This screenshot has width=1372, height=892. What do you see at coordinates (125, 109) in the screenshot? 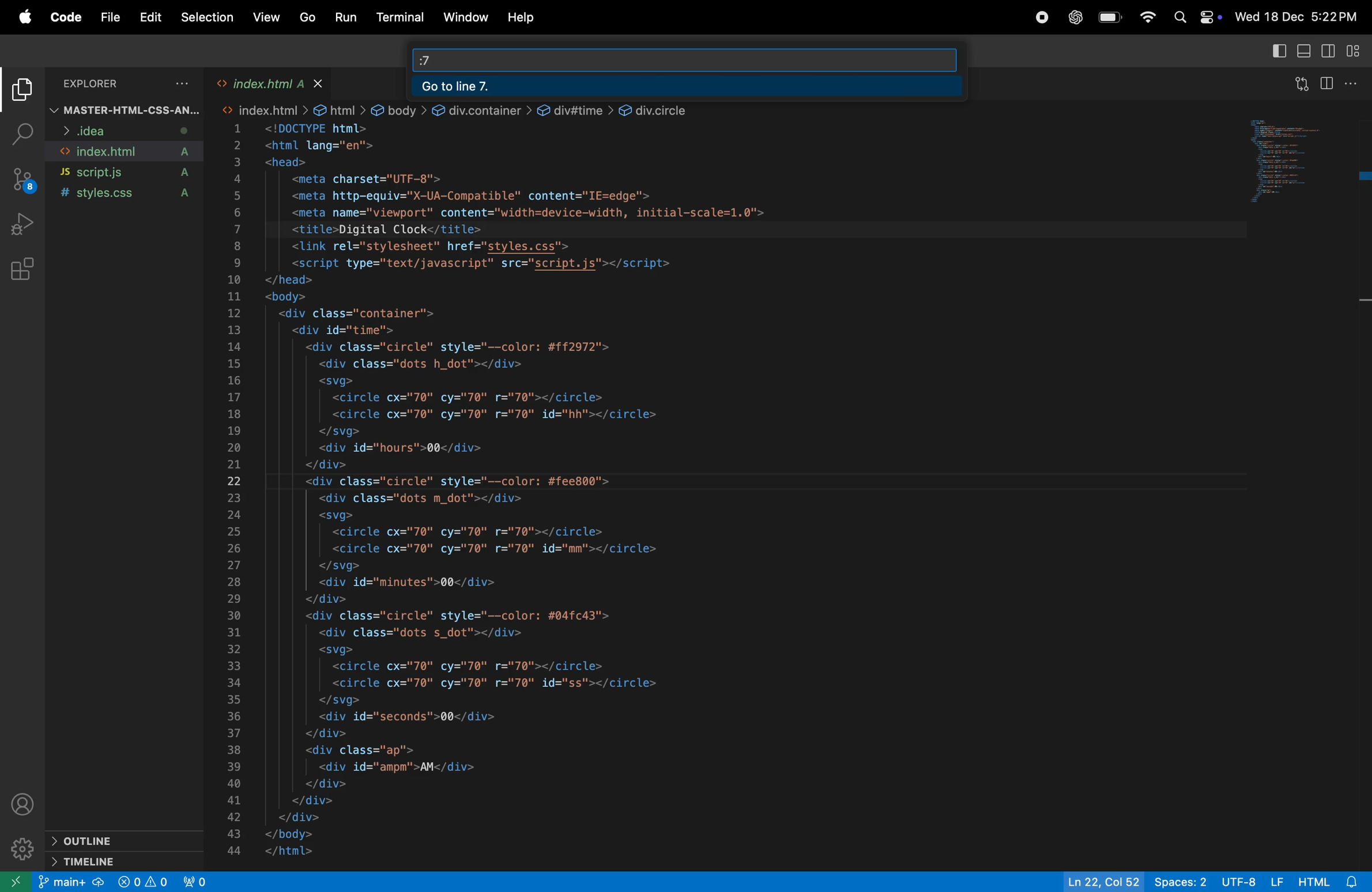
I see `master html css file` at bounding box center [125, 109].